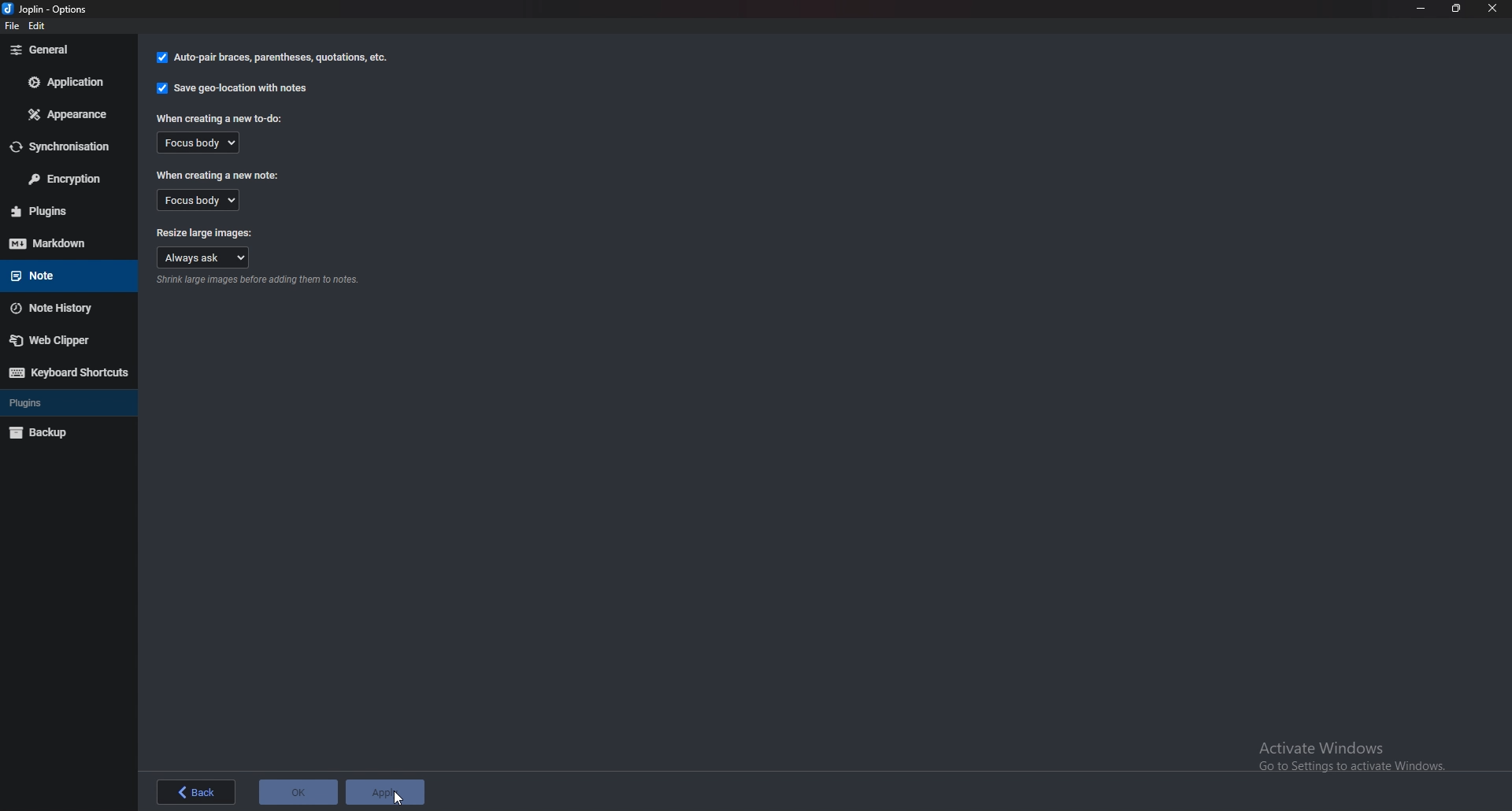  Describe the element at coordinates (63, 341) in the screenshot. I see `Web Clipper` at that location.